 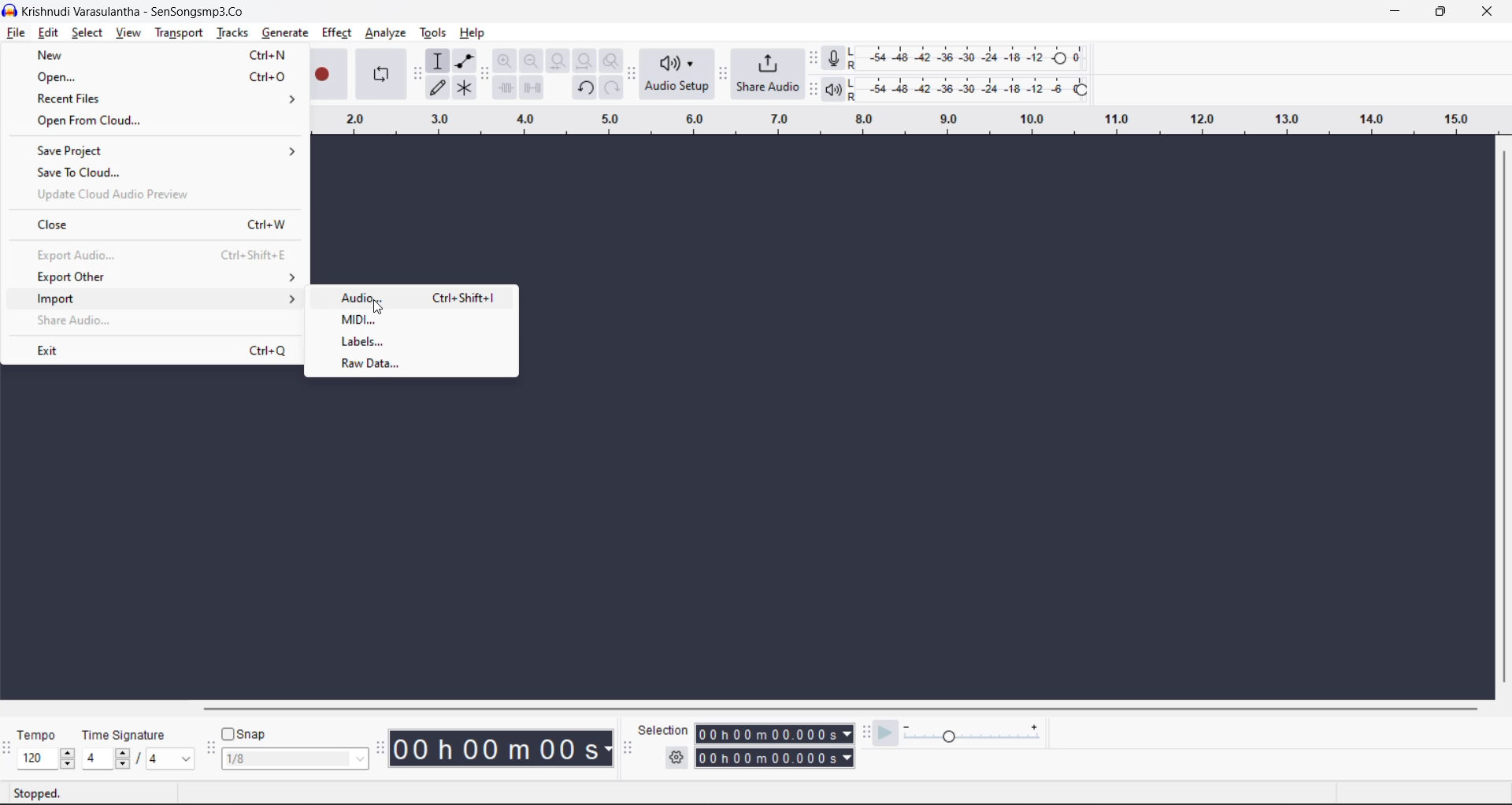 What do you see at coordinates (164, 77) in the screenshot?
I see `open` at bounding box center [164, 77].